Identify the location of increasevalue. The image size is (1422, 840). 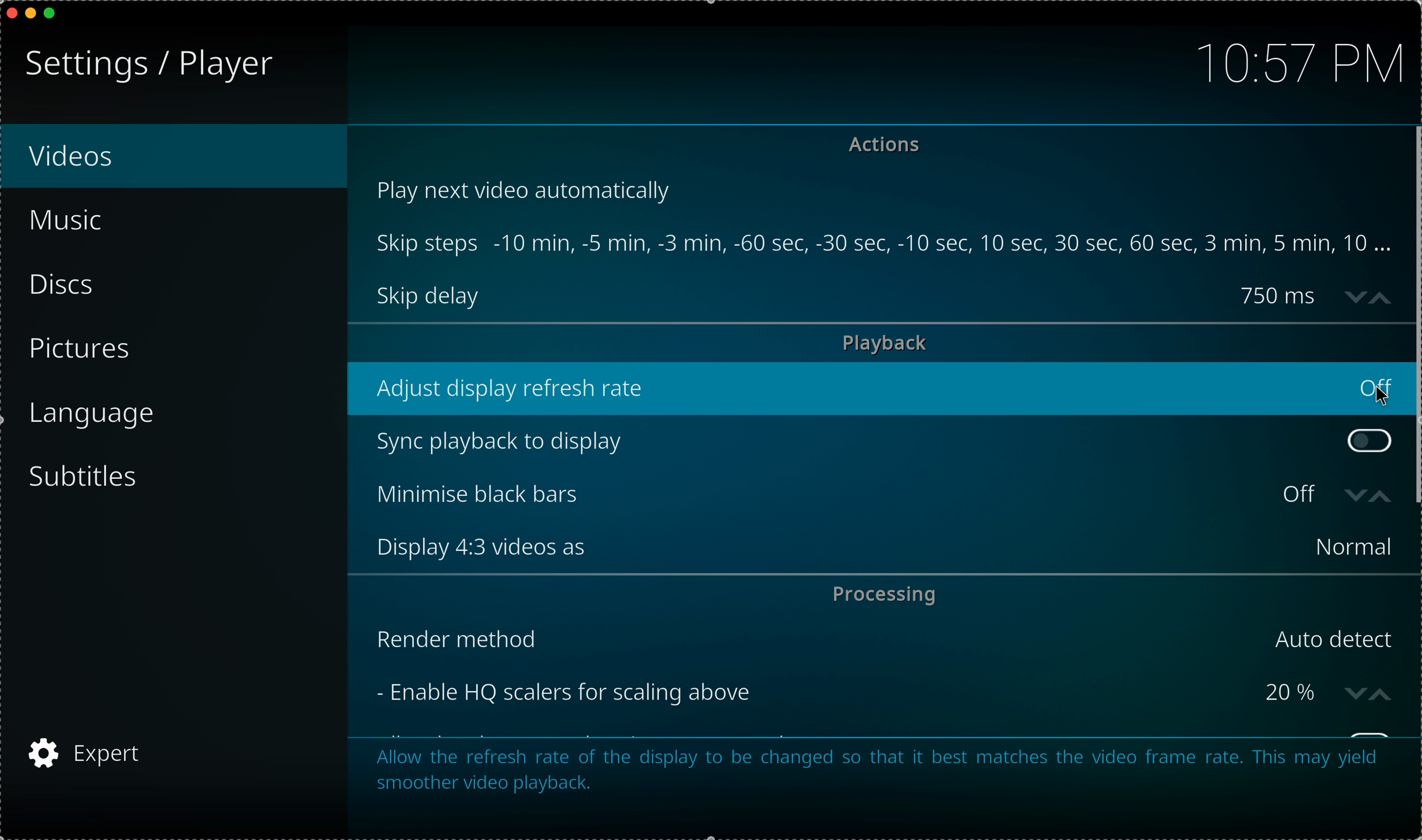
(1383, 496).